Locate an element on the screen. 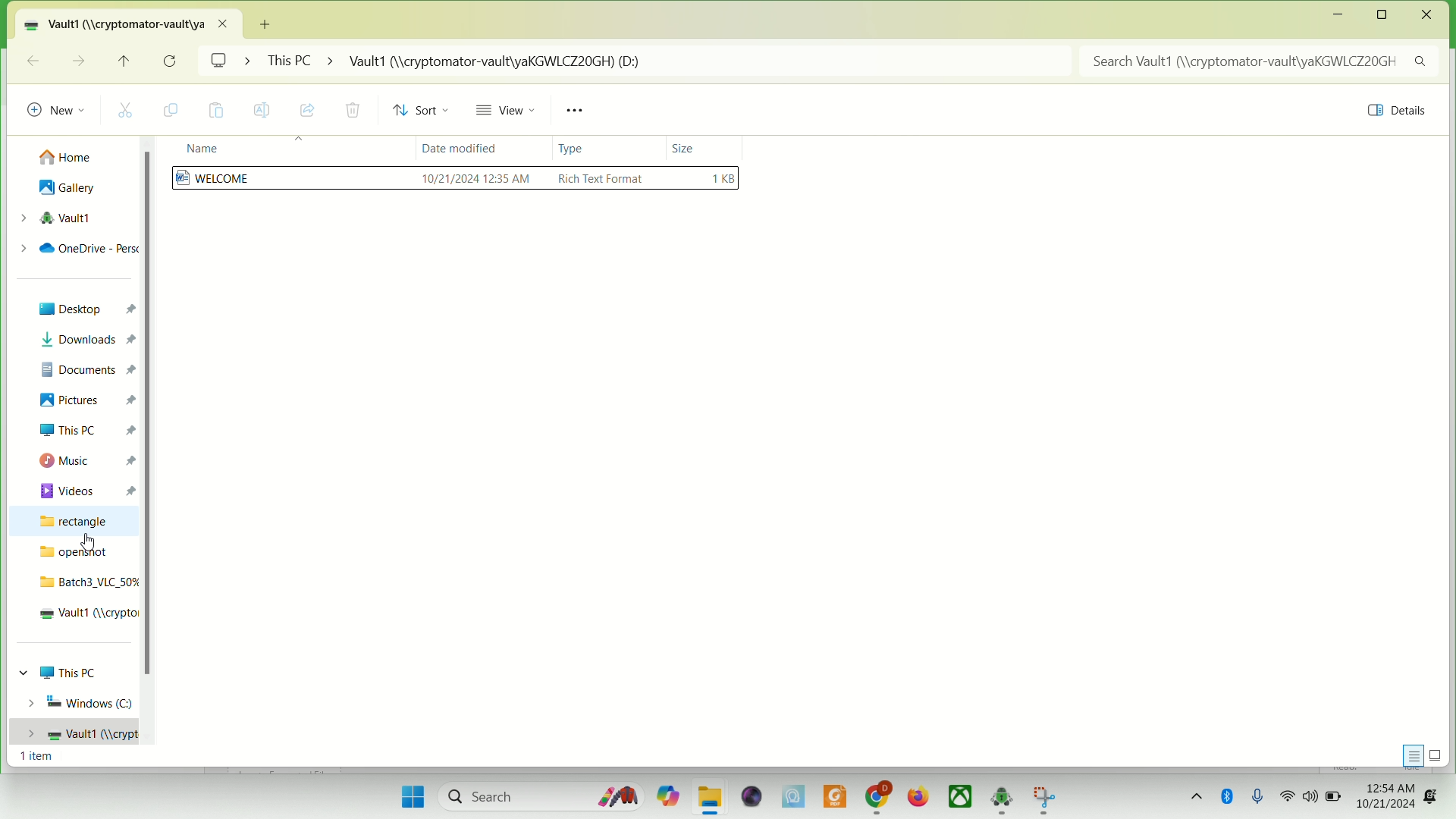  minimize is located at coordinates (1338, 16).